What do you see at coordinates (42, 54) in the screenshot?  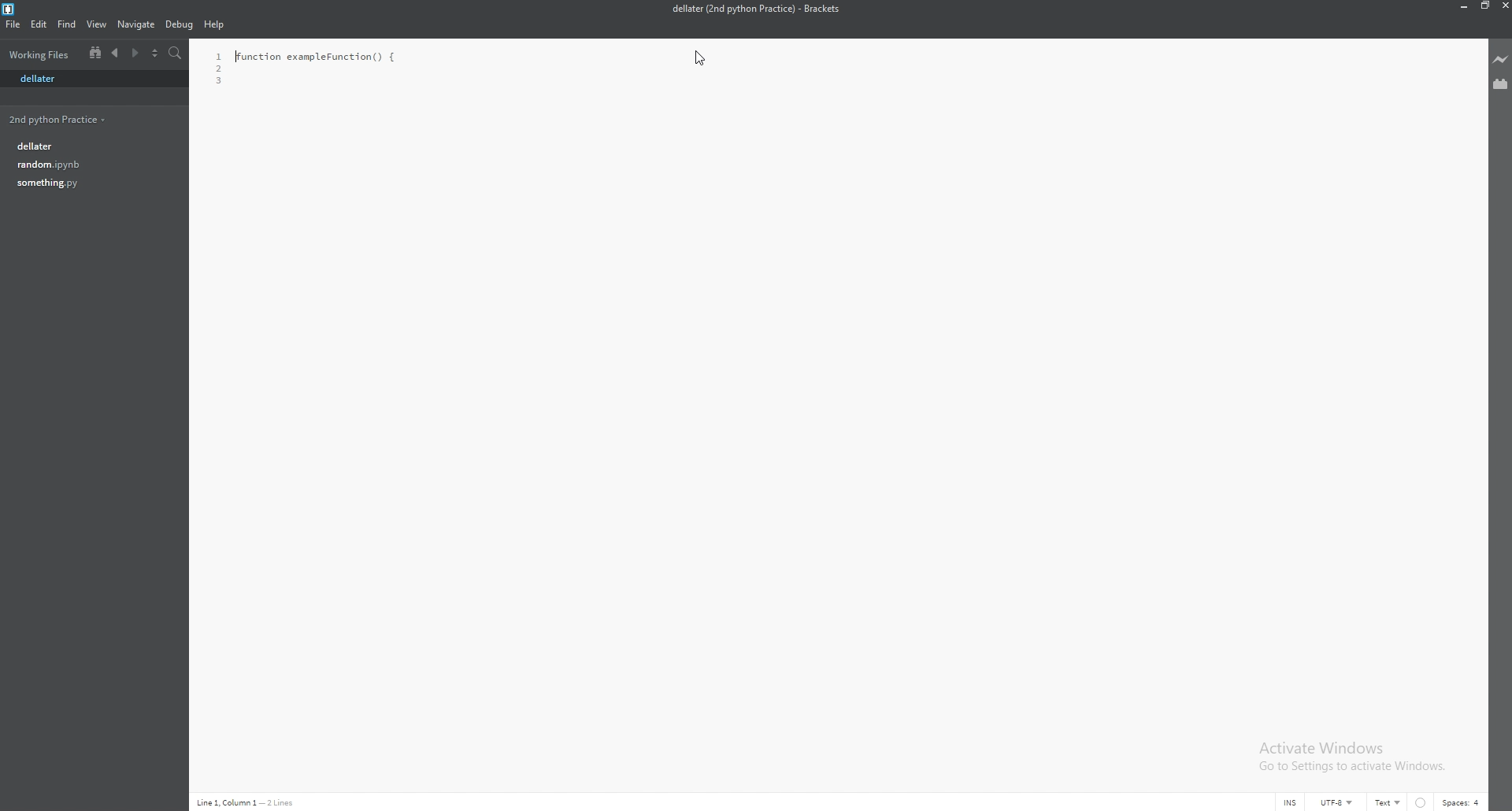 I see `folder` at bounding box center [42, 54].